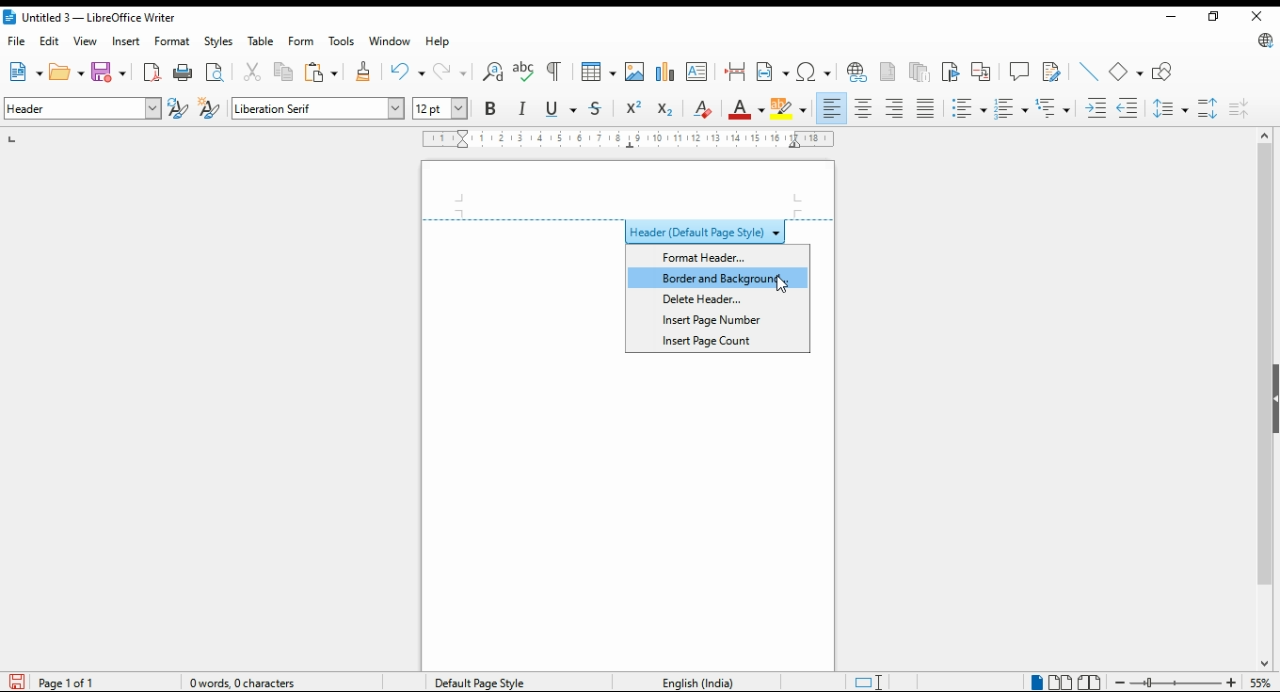  What do you see at coordinates (737, 72) in the screenshot?
I see `insert page break` at bounding box center [737, 72].